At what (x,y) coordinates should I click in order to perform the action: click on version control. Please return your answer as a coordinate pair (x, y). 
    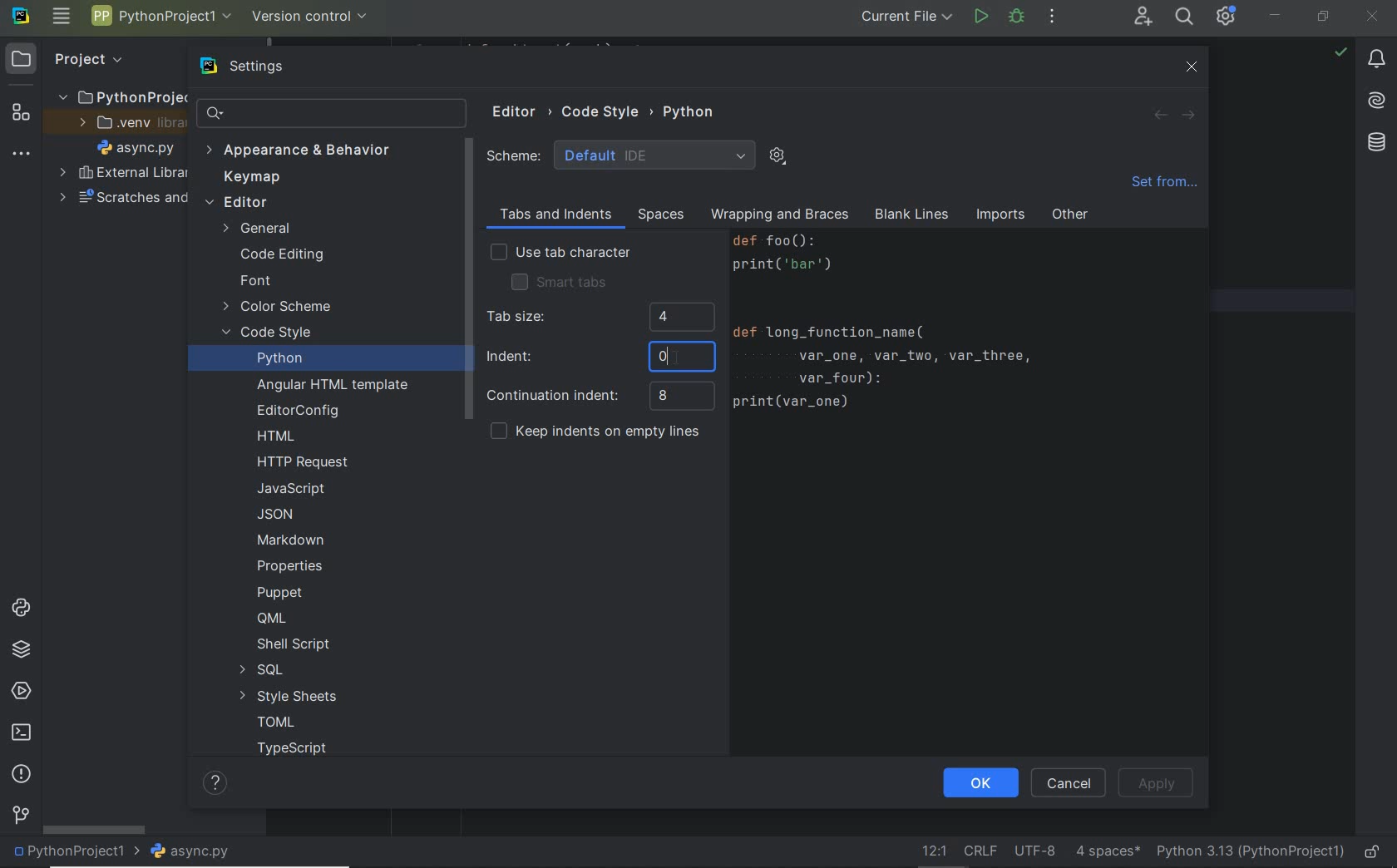
    Looking at the image, I should click on (20, 817).